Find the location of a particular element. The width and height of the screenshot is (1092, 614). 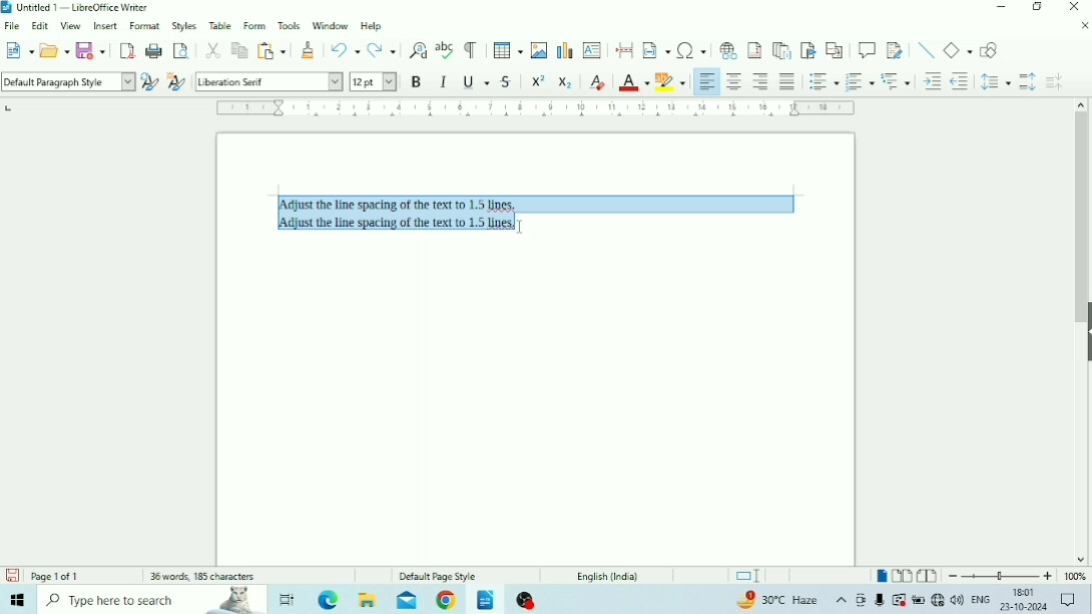

Temperature is located at coordinates (778, 600).